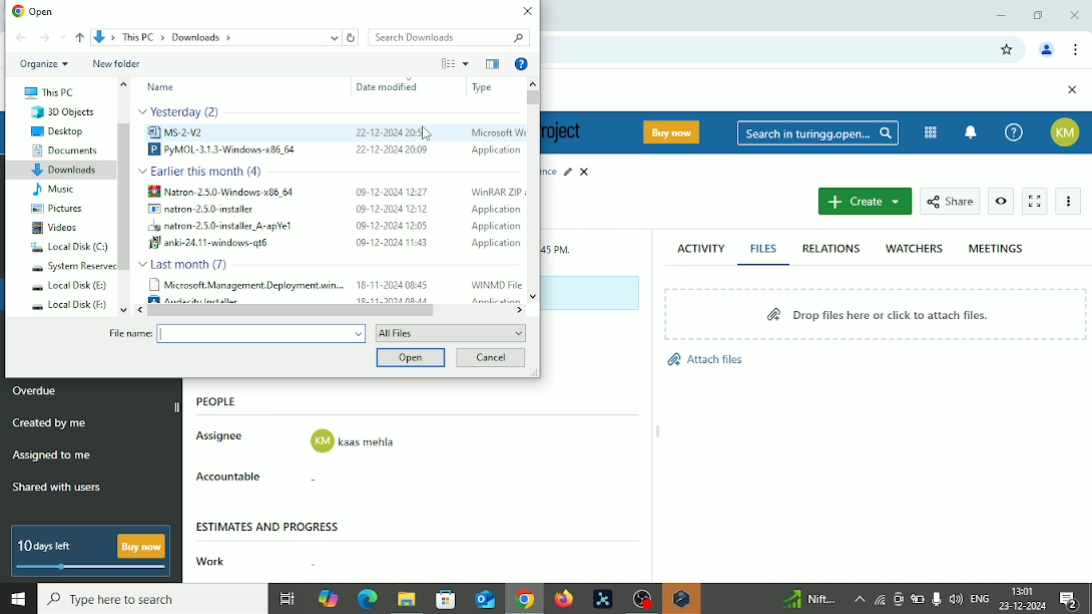  I want to click on Change your view, so click(447, 64).